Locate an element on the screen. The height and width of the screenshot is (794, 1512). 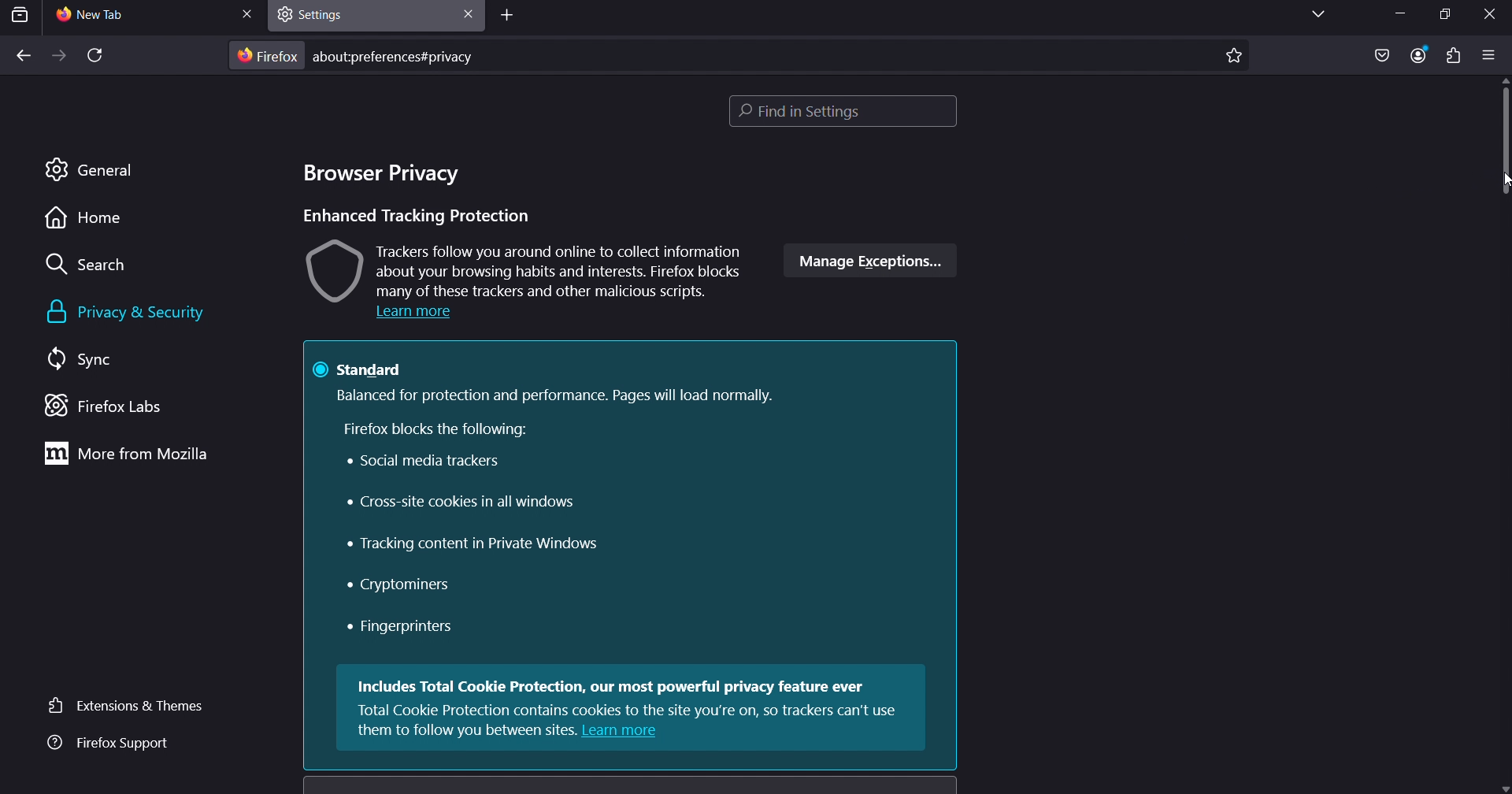
sync is located at coordinates (83, 360).